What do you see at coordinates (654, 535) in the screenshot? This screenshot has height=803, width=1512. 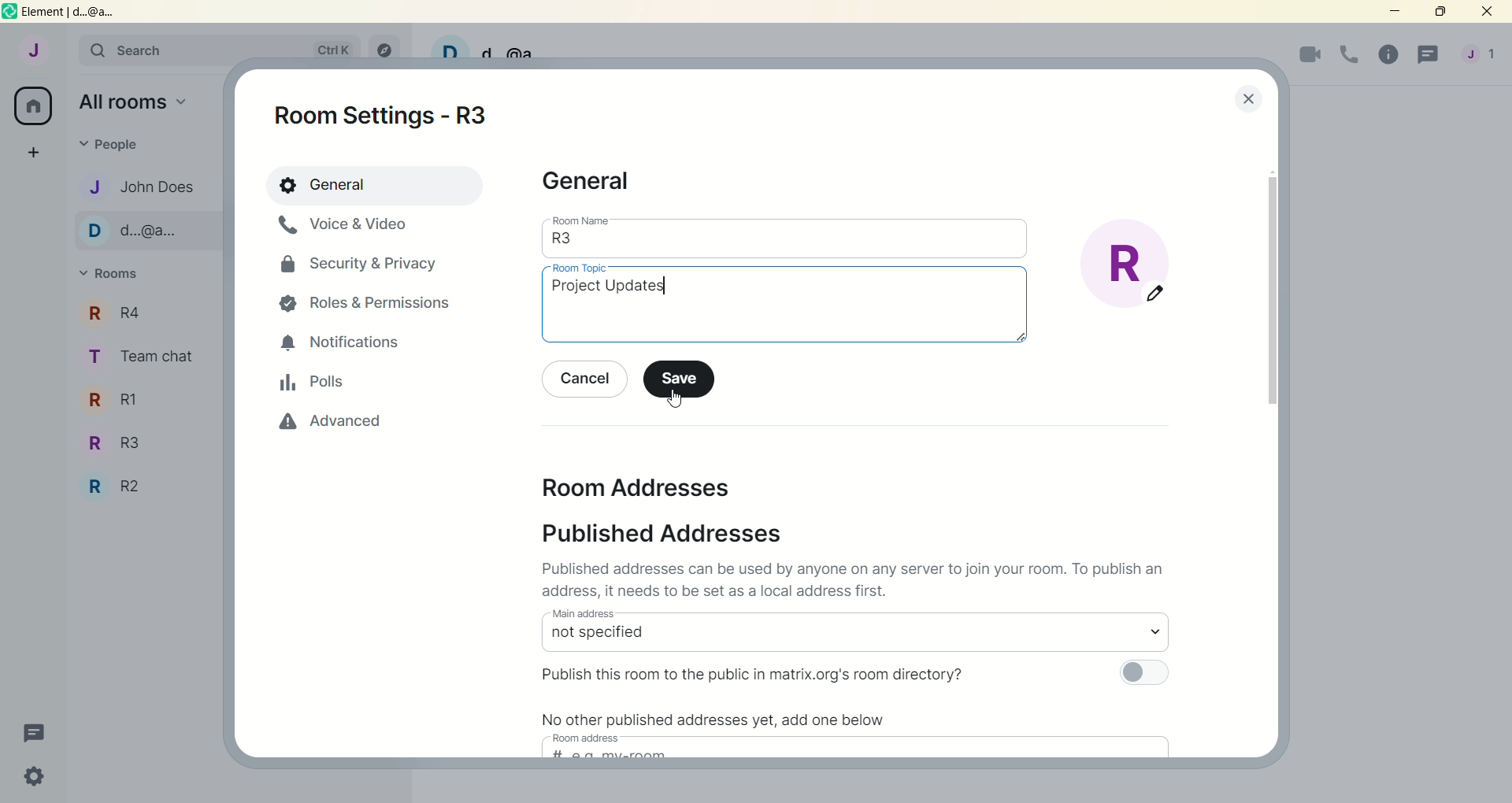 I see `published addresses` at bounding box center [654, 535].